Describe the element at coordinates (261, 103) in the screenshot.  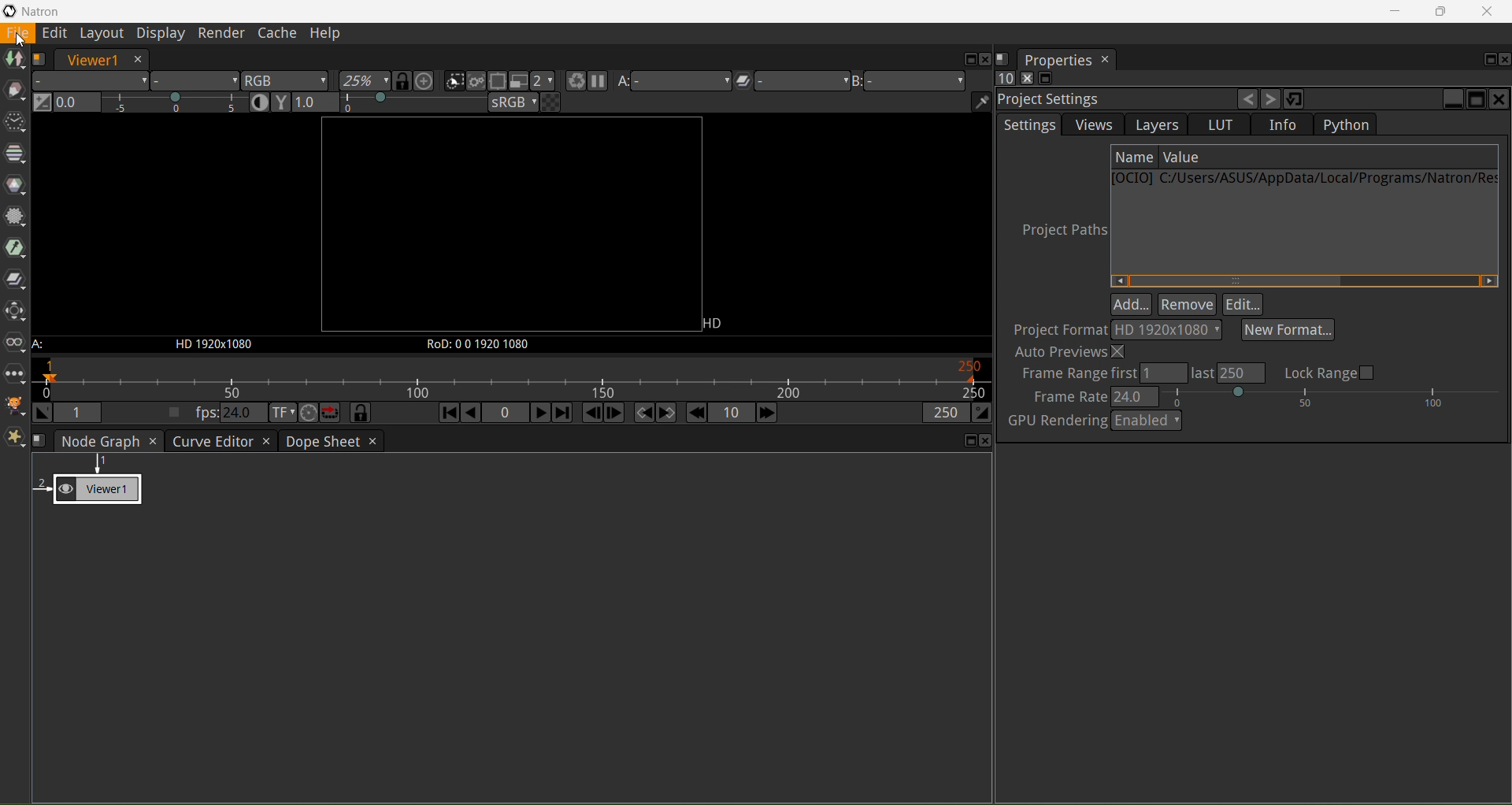
I see `Auto-Contrast` at that location.